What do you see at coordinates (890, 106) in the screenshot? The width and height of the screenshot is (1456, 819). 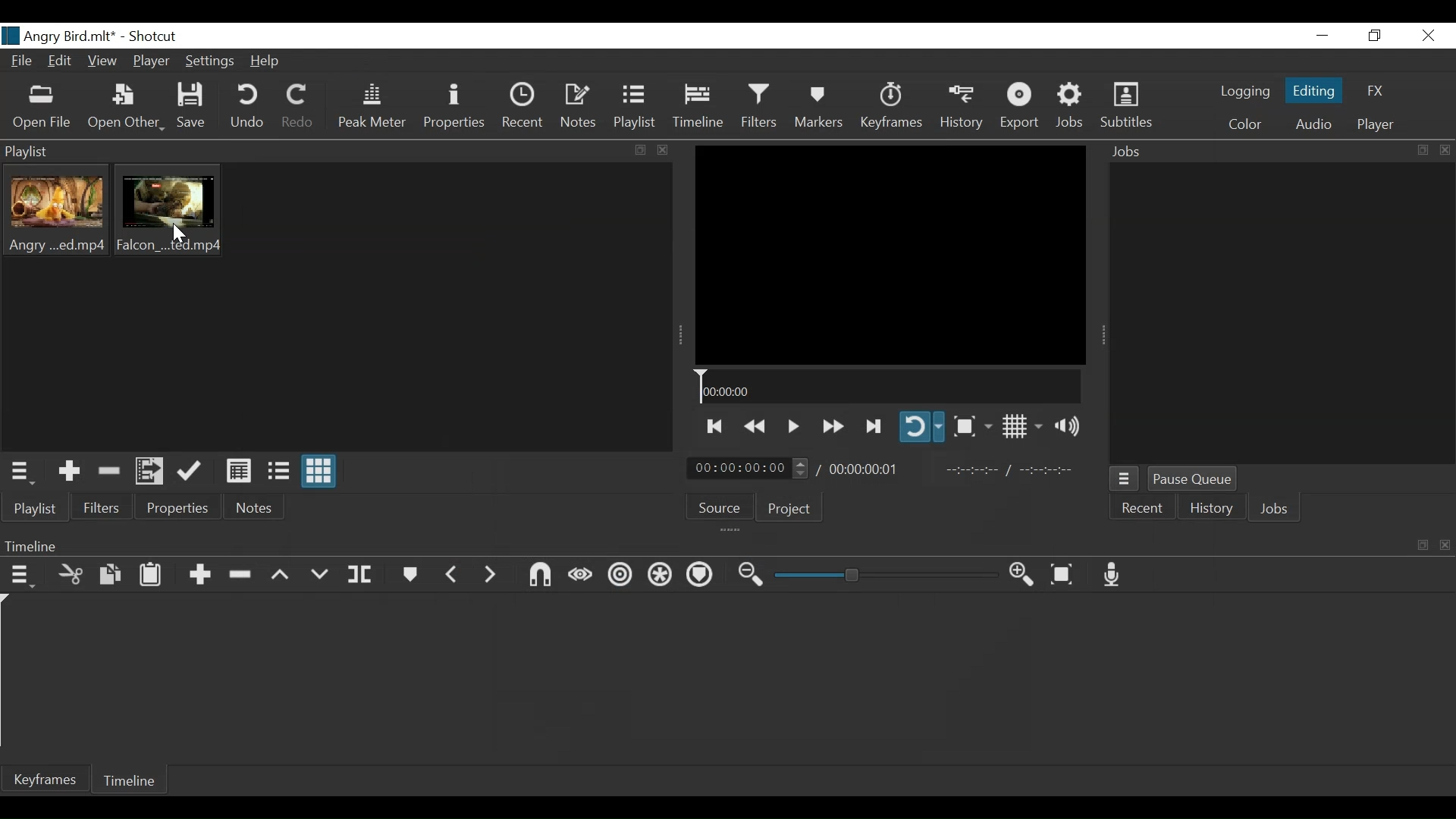 I see `Keyframes` at bounding box center [890, 106].